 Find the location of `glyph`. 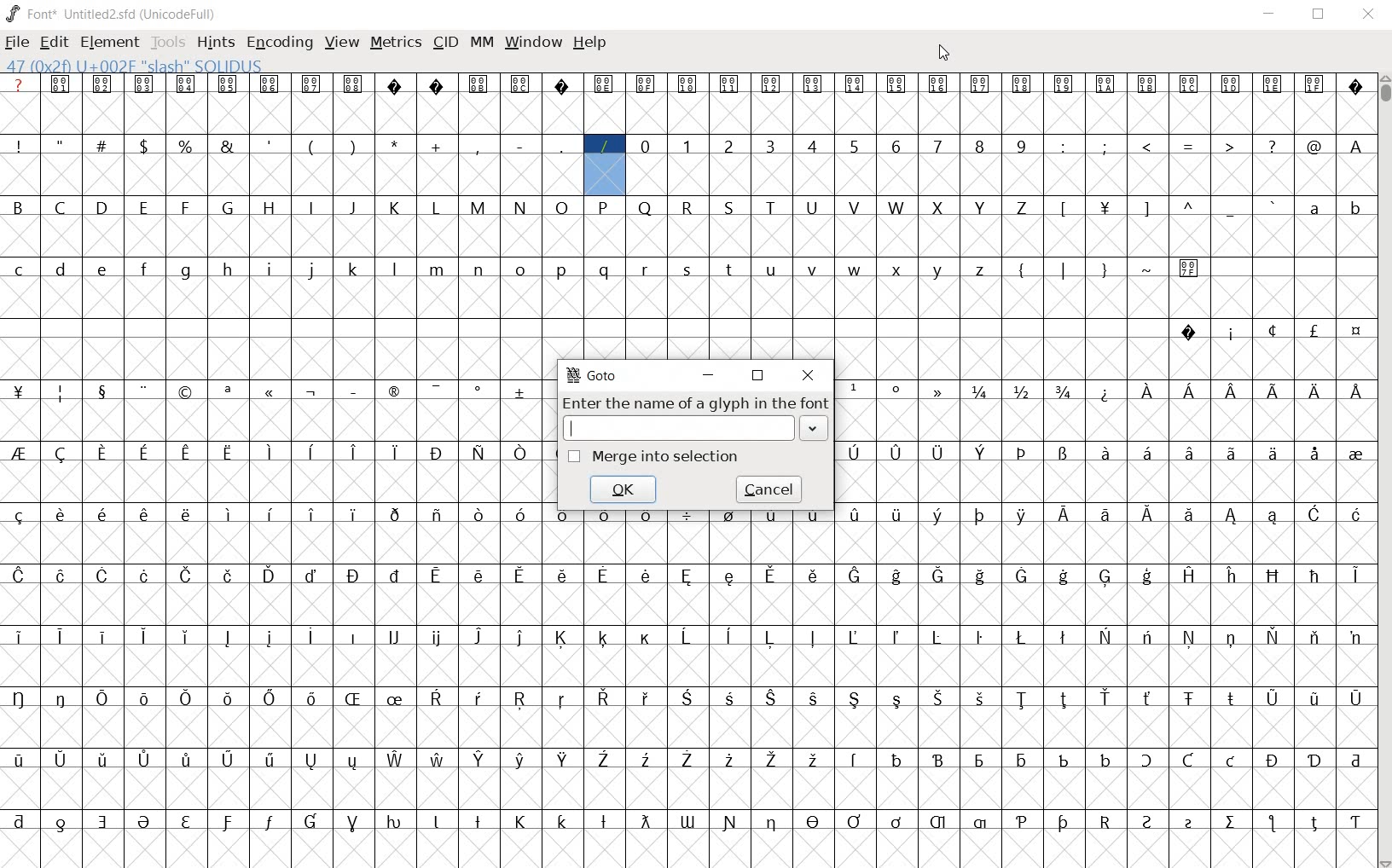

glyph is located at coordinates (311, 761).